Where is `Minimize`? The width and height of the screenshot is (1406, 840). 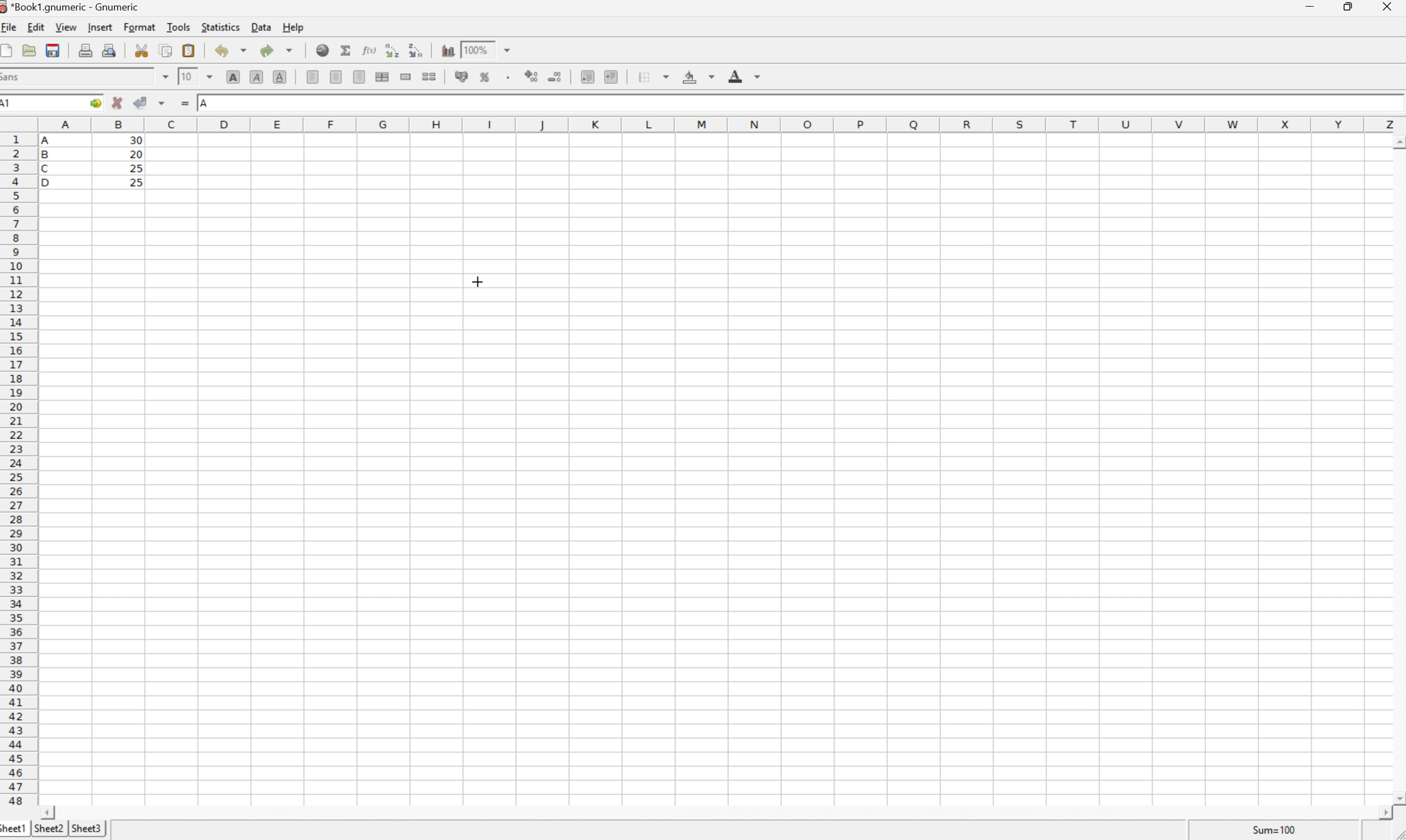
Minimize is located at coordinates (1310, 6).